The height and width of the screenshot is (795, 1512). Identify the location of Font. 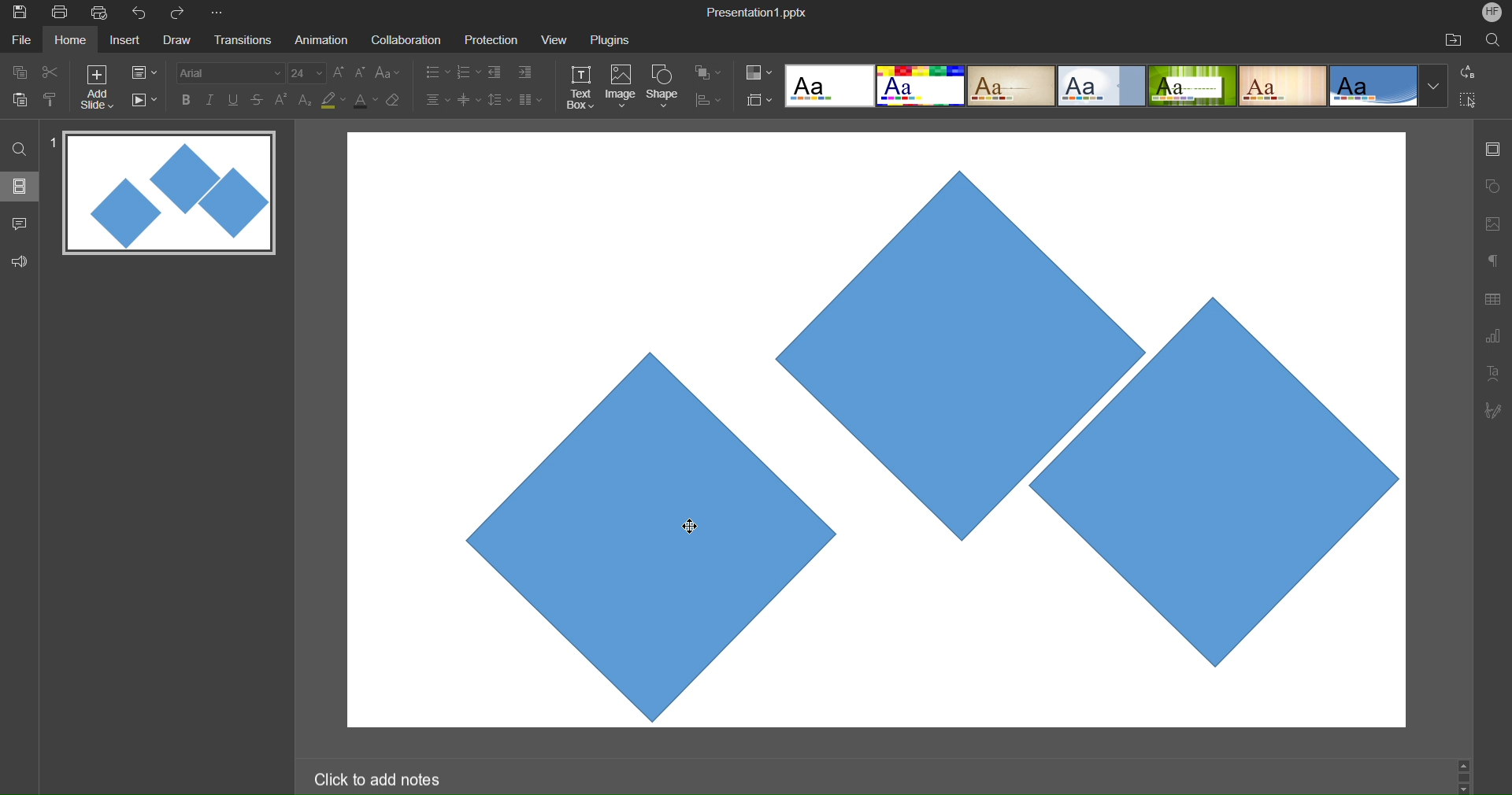
(228, 72).